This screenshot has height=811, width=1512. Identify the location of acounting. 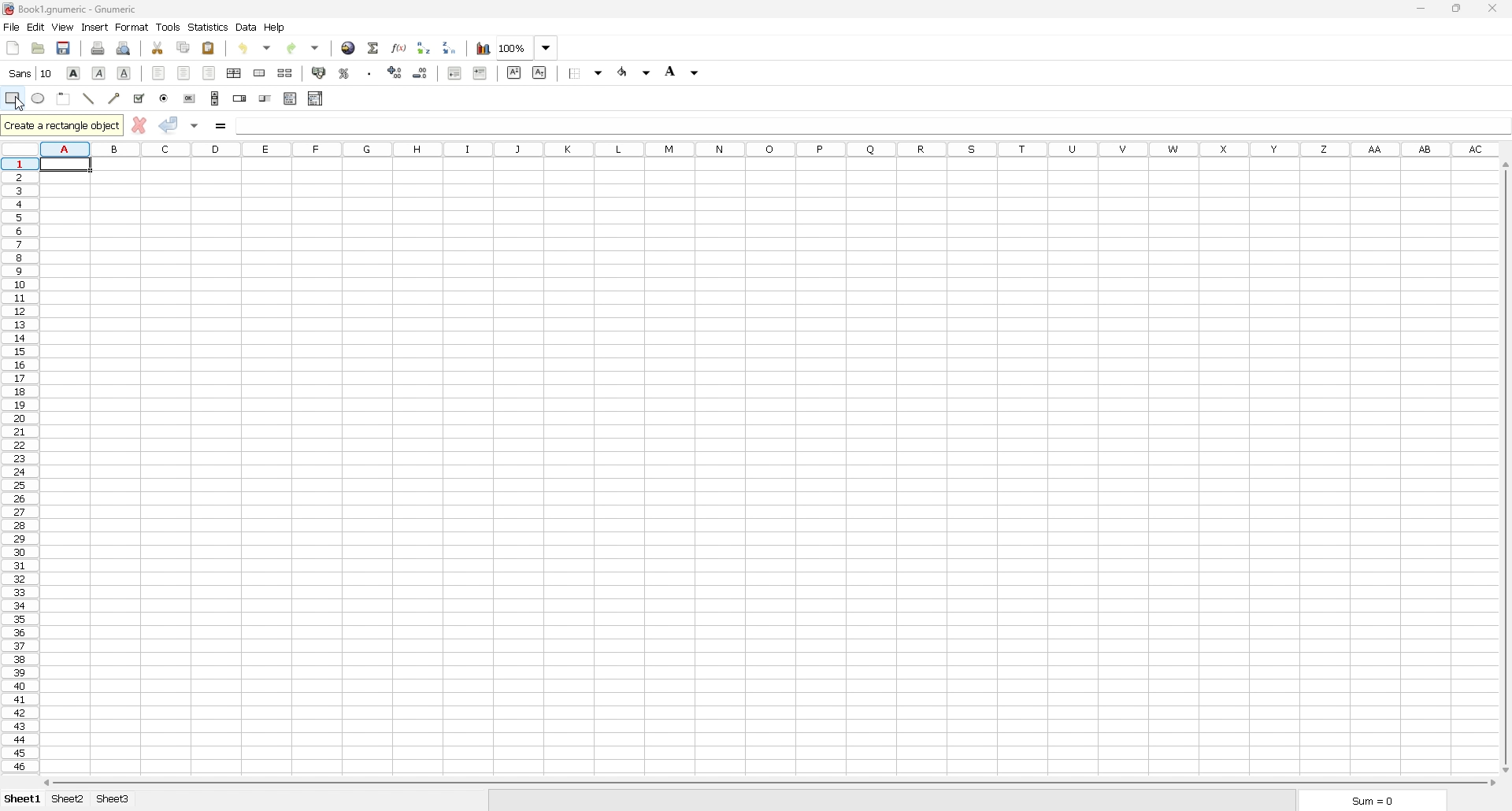
(319, 72).